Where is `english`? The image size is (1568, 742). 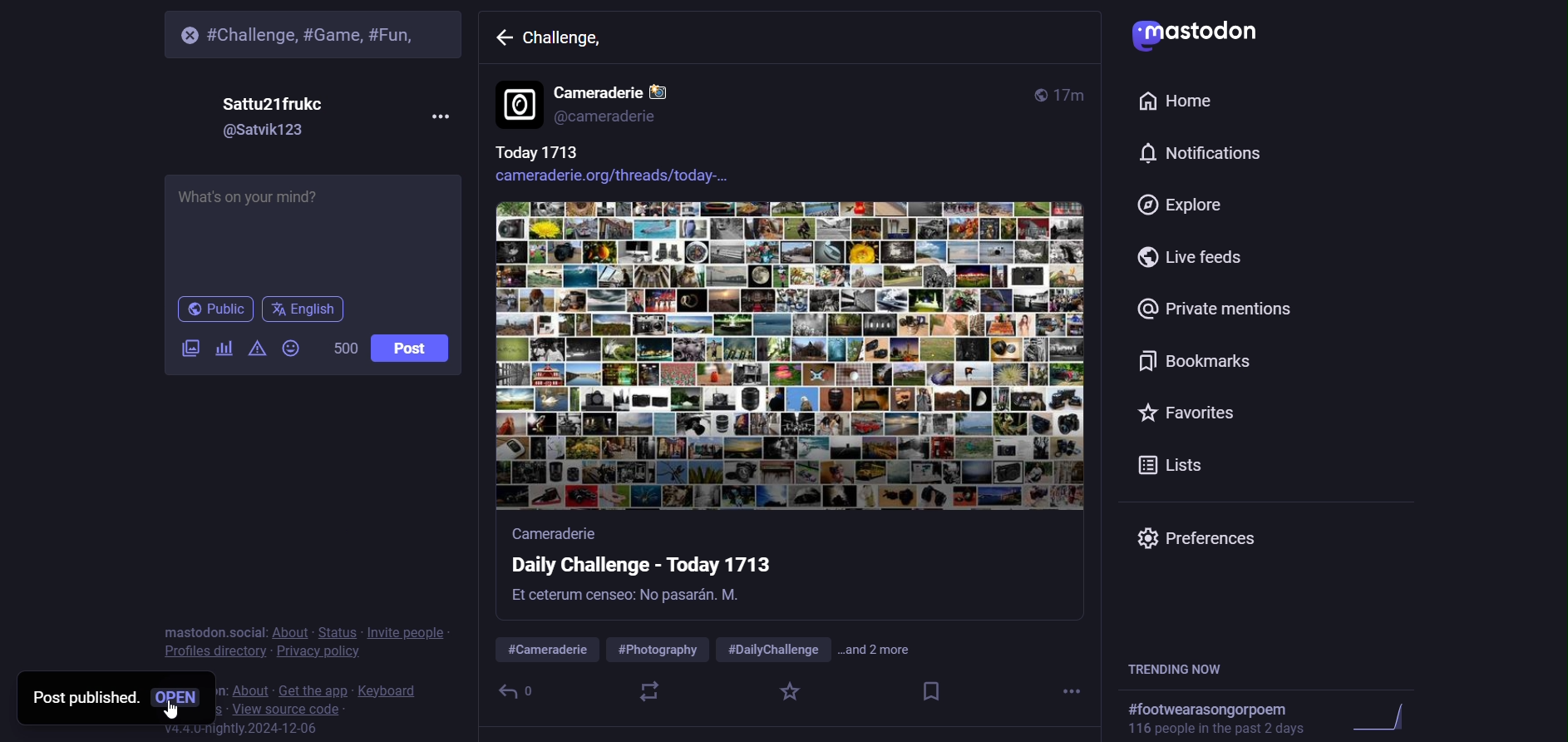 english is located at coordinates (304, 312).